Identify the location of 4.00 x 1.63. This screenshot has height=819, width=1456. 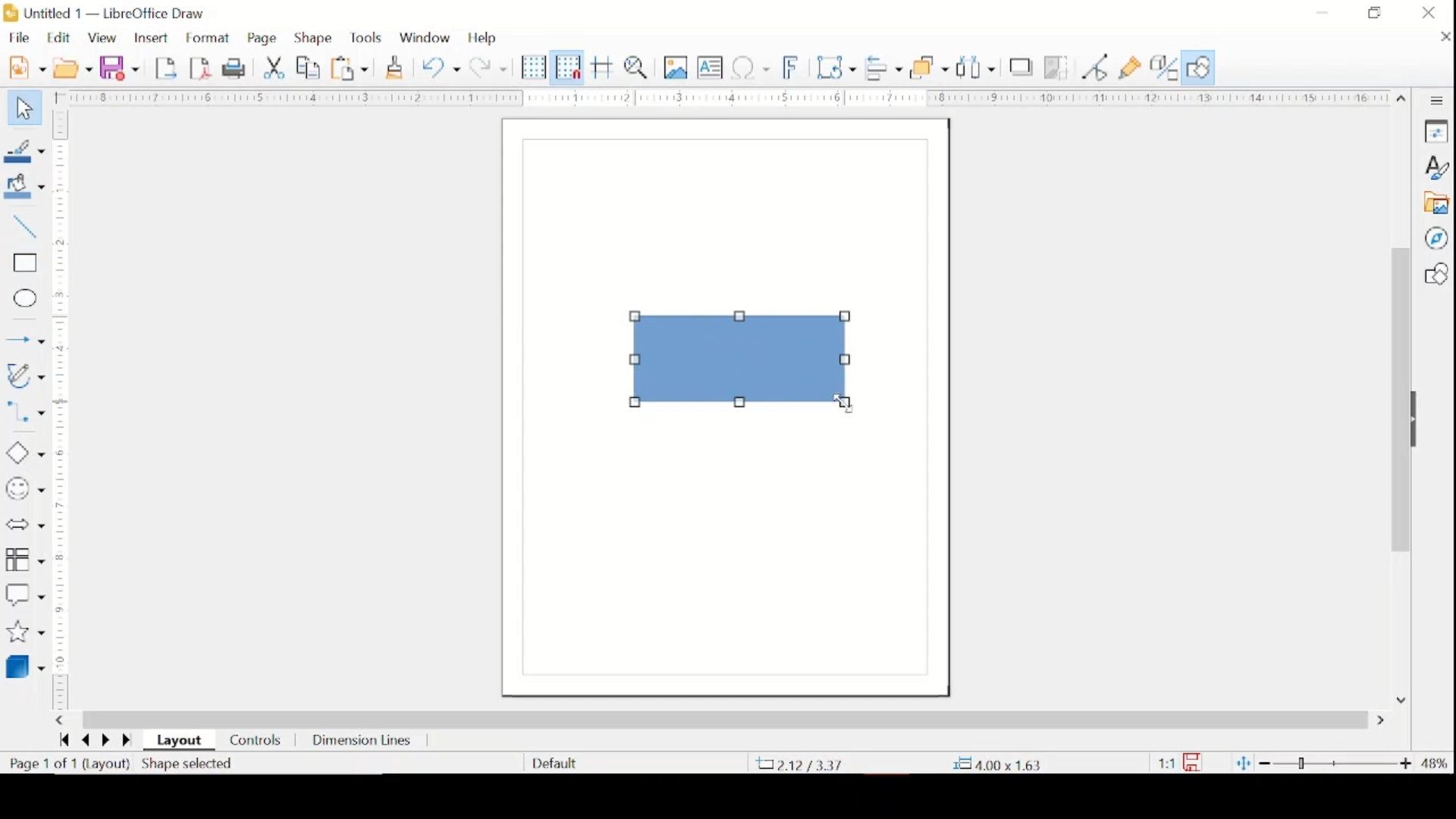
(999, 764).